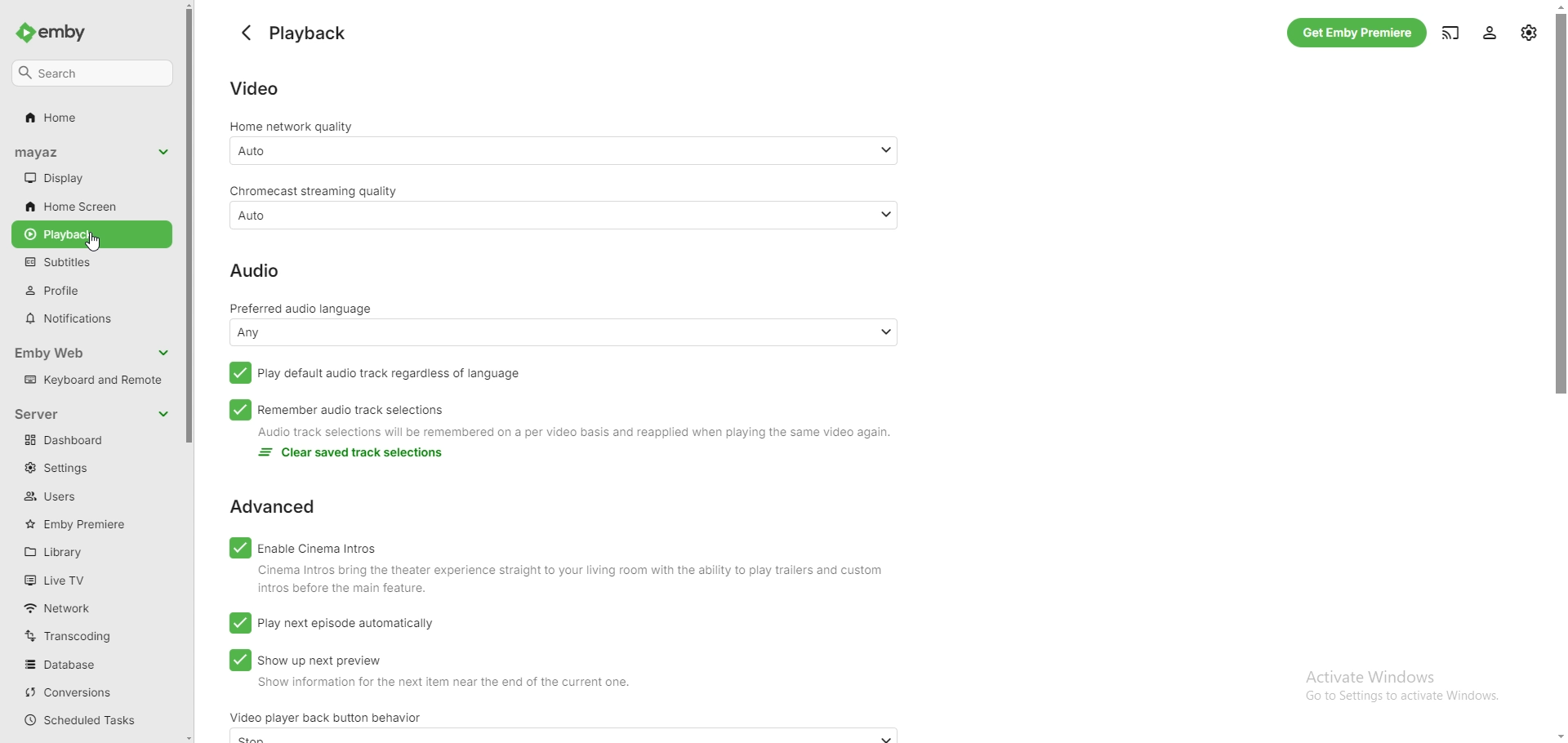  Describe the element at coordinates (1410, 686) in the screenshot. I see `Activate Windows
Go to Settings to activate Windows.` at that location.